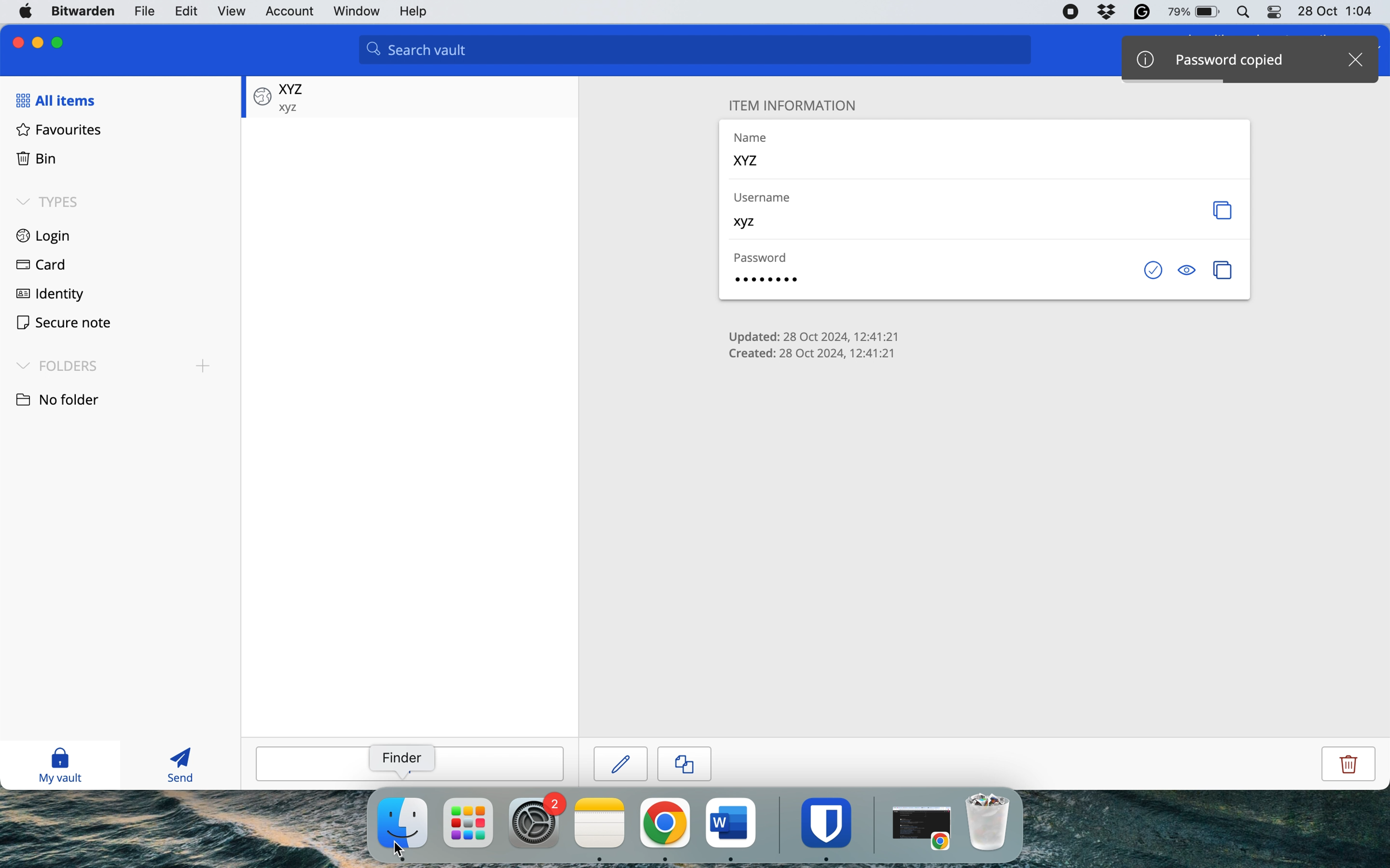  What do you see at coordinates (702, 52) in the screenshot?
I see `search valut` at bounding box center [702, 52].